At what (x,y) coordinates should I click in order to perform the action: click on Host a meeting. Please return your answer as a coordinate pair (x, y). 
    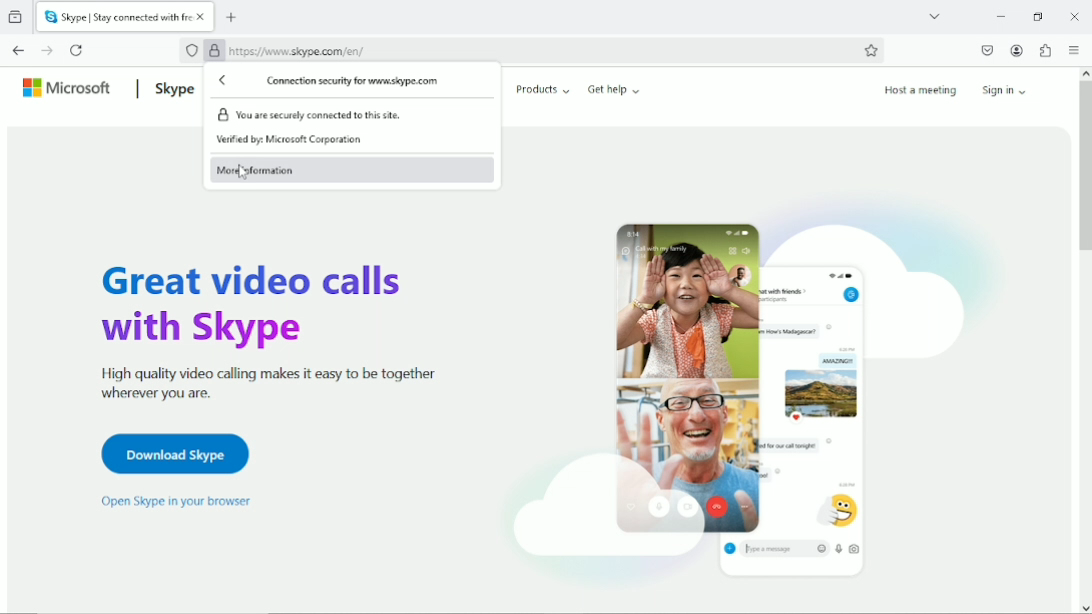
    Looking at the image, I should click on (919, 90).